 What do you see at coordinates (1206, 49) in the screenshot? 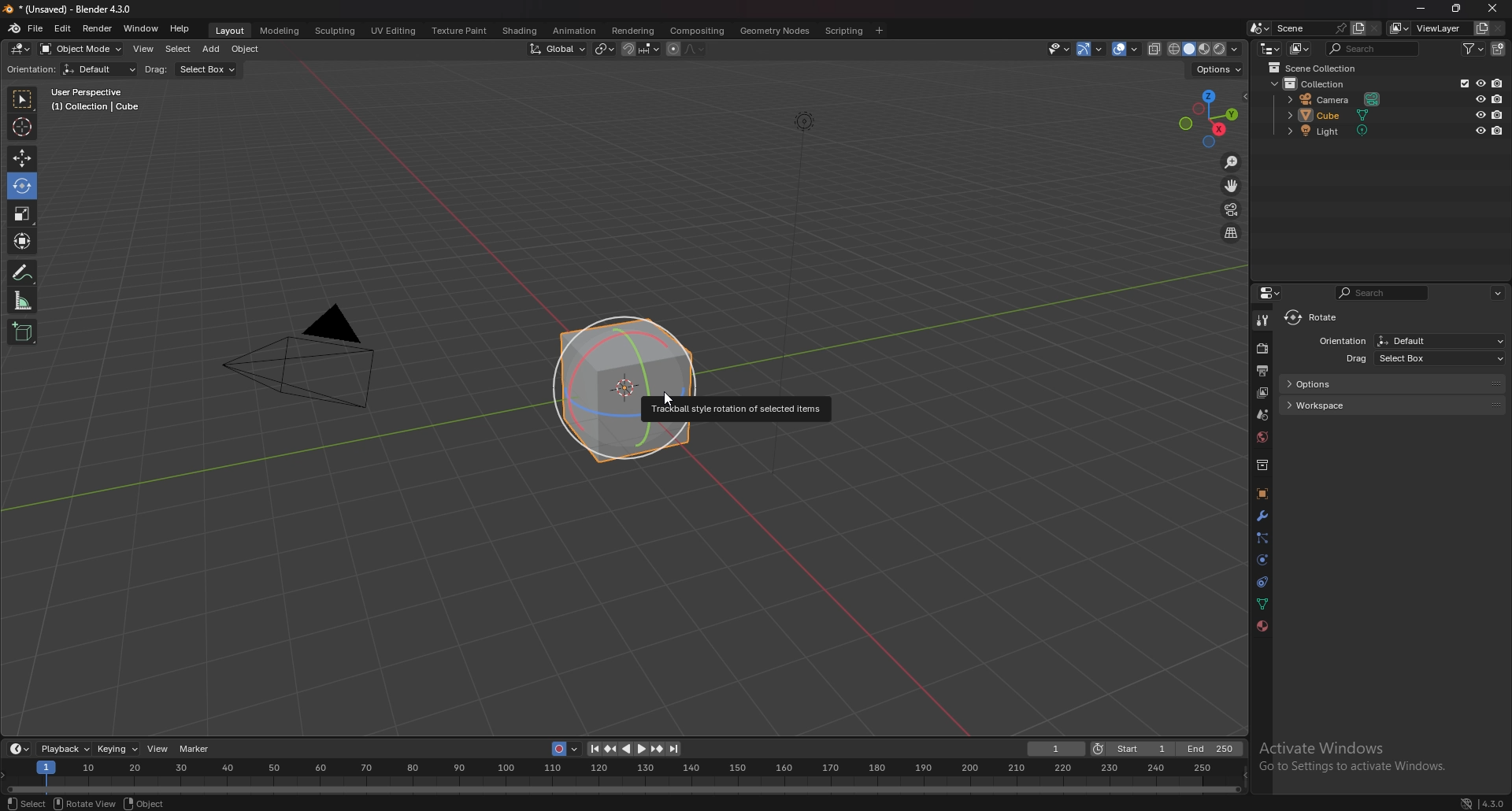
I see `view port shading` at bounding box center [1206, 49].